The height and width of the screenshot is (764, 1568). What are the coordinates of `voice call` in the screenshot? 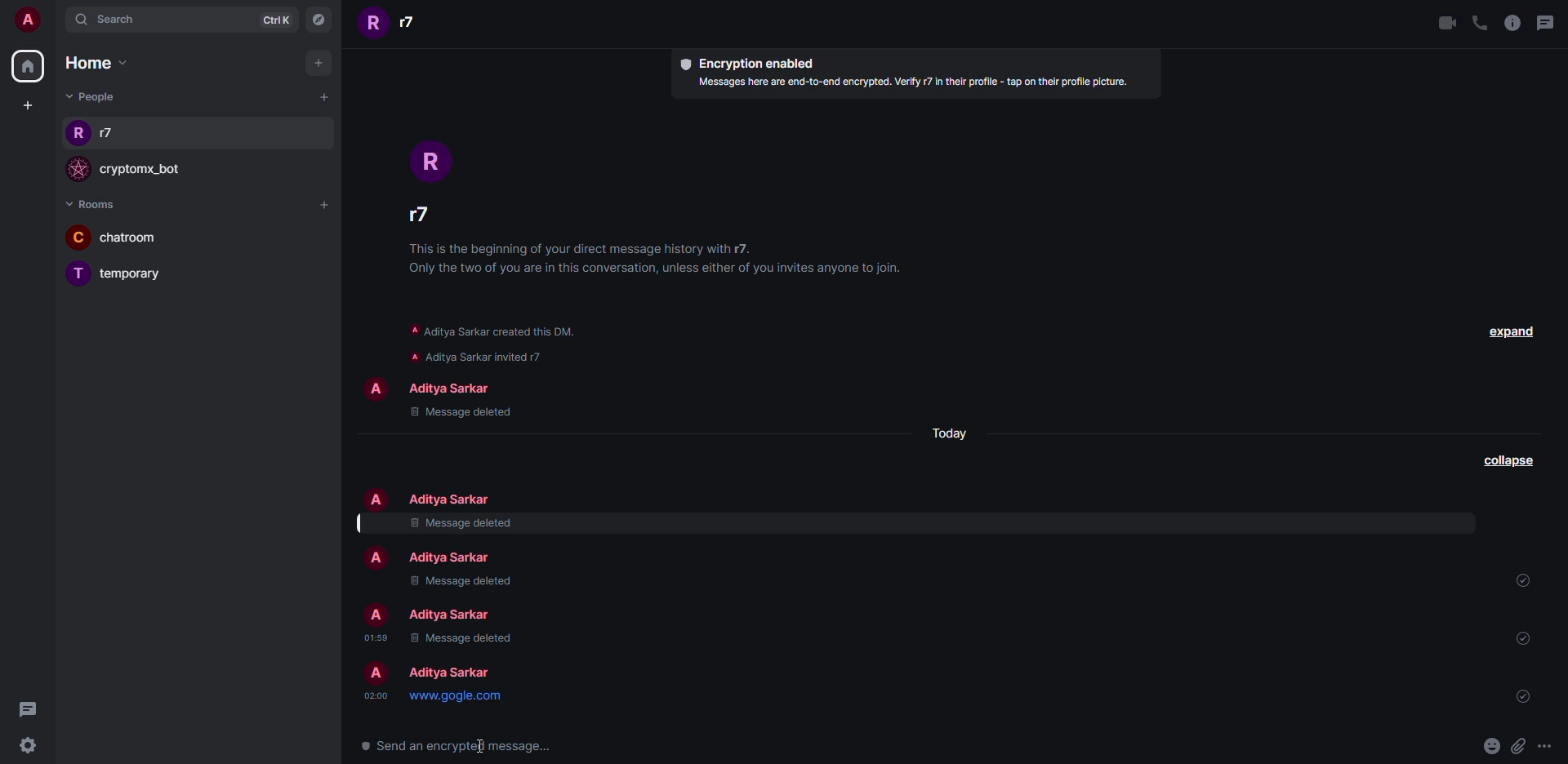 It's located at (1479, 23).